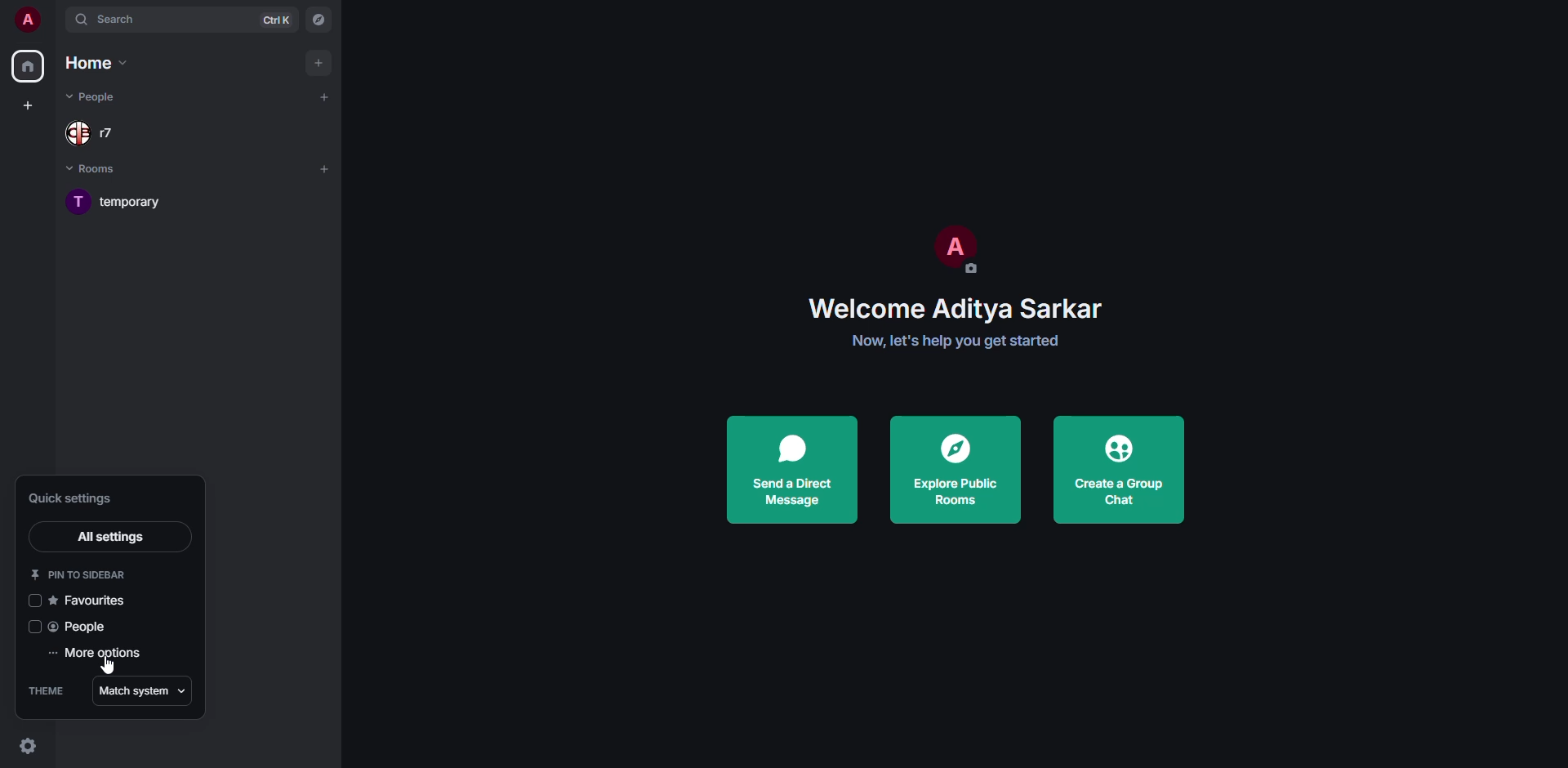  Describe the element at coordinates (957, 307) in the screenshot. I see `welcome` at that location.